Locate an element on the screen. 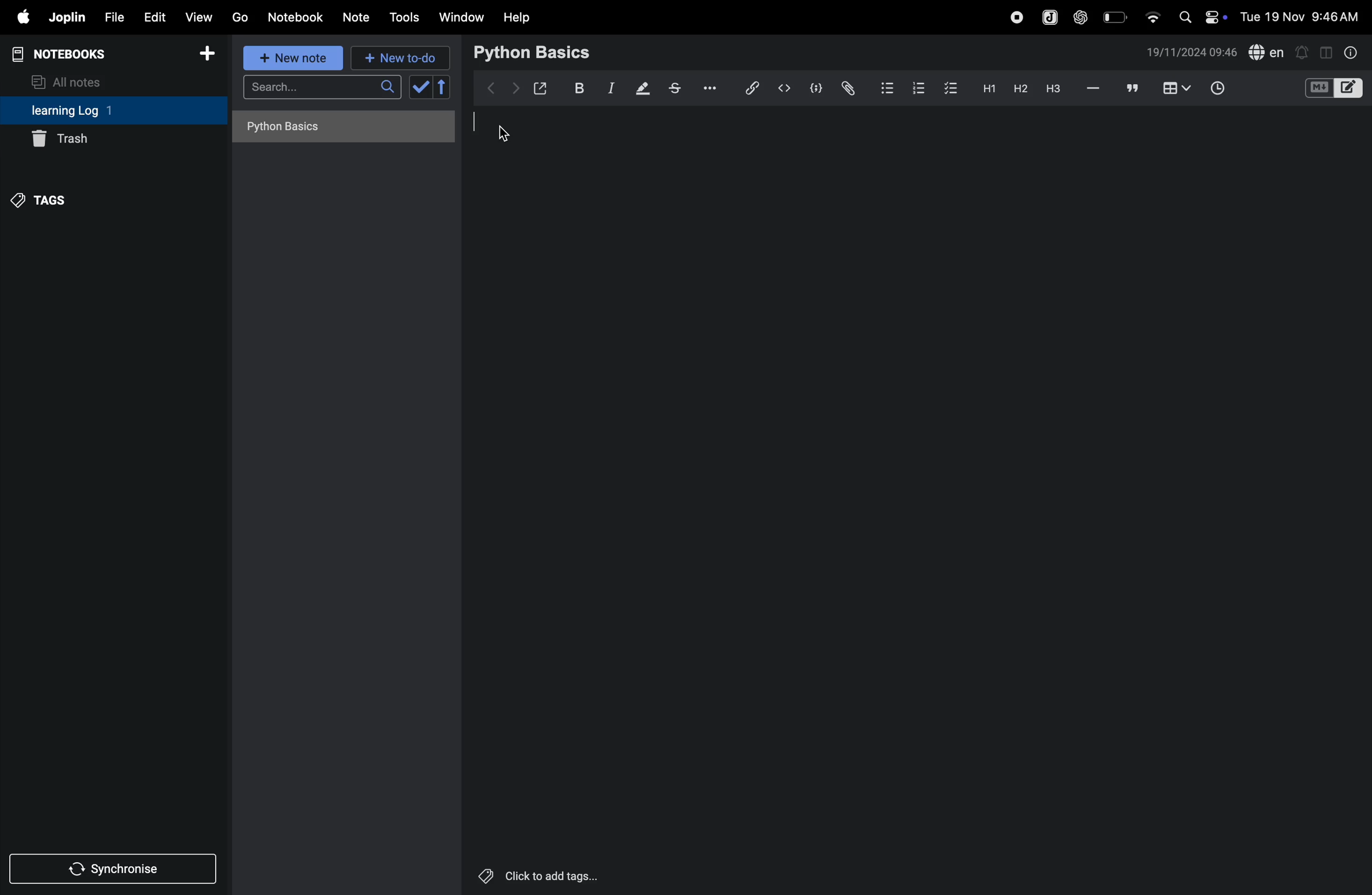 Image resolution: width=1372 pixels, height=895 pixels. help is located at coordinates (517, 17).